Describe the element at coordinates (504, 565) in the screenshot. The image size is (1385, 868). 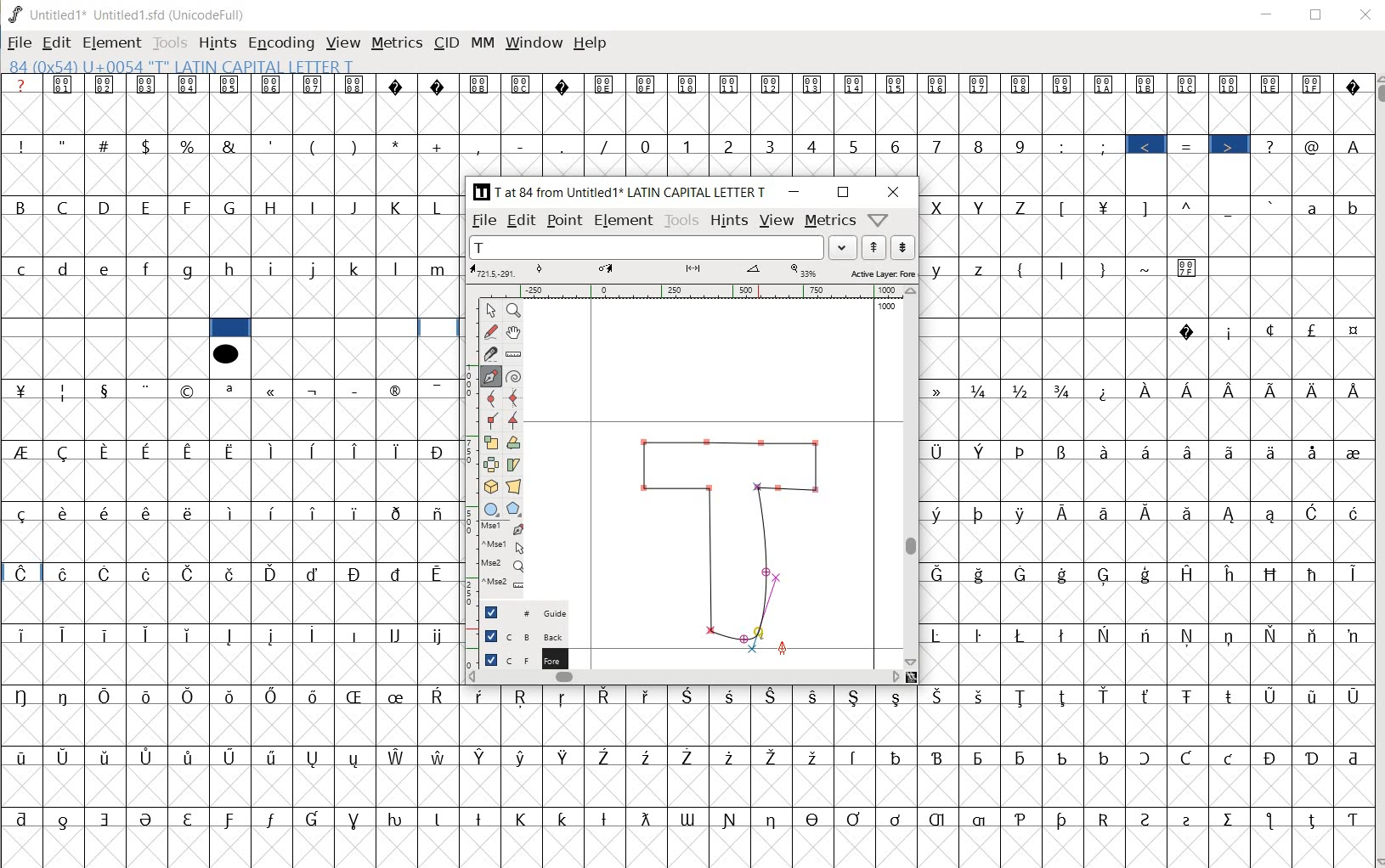
I see `Mouse wheel button` at that location.